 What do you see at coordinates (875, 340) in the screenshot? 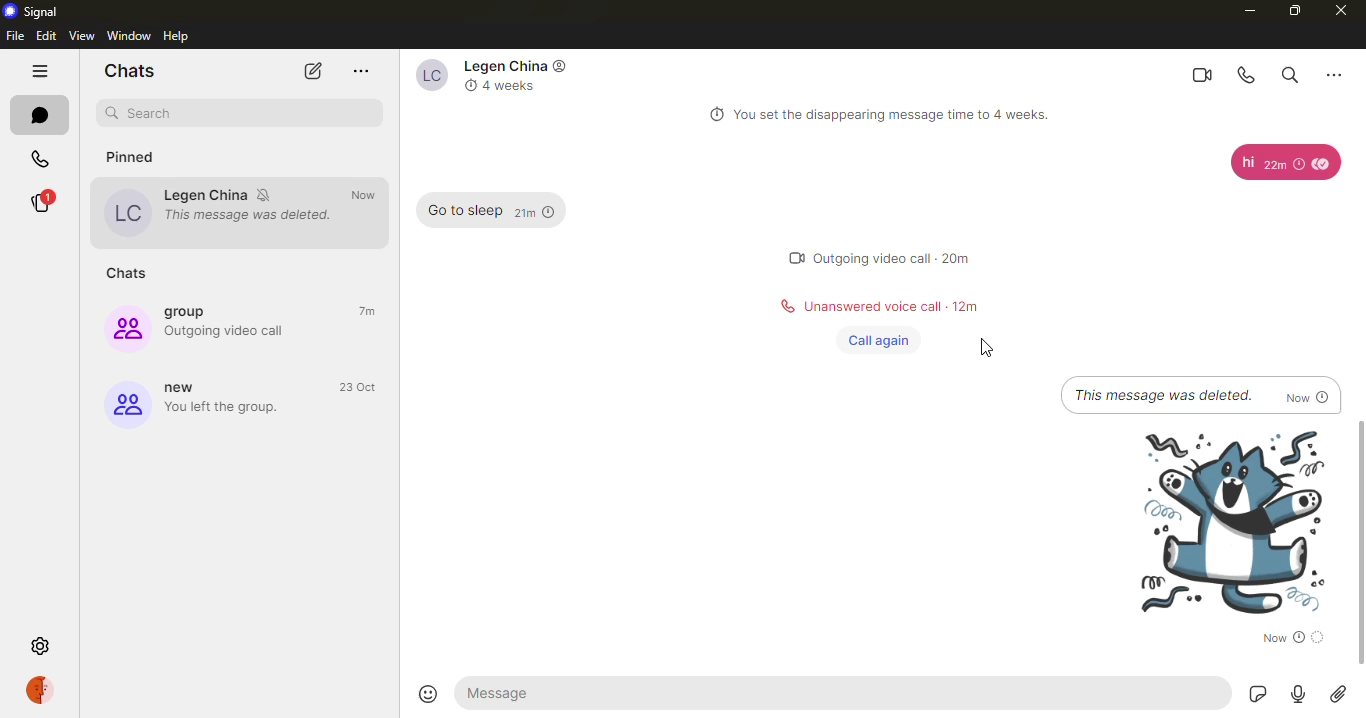
I see `Call again` at bounding box center [875, 340].